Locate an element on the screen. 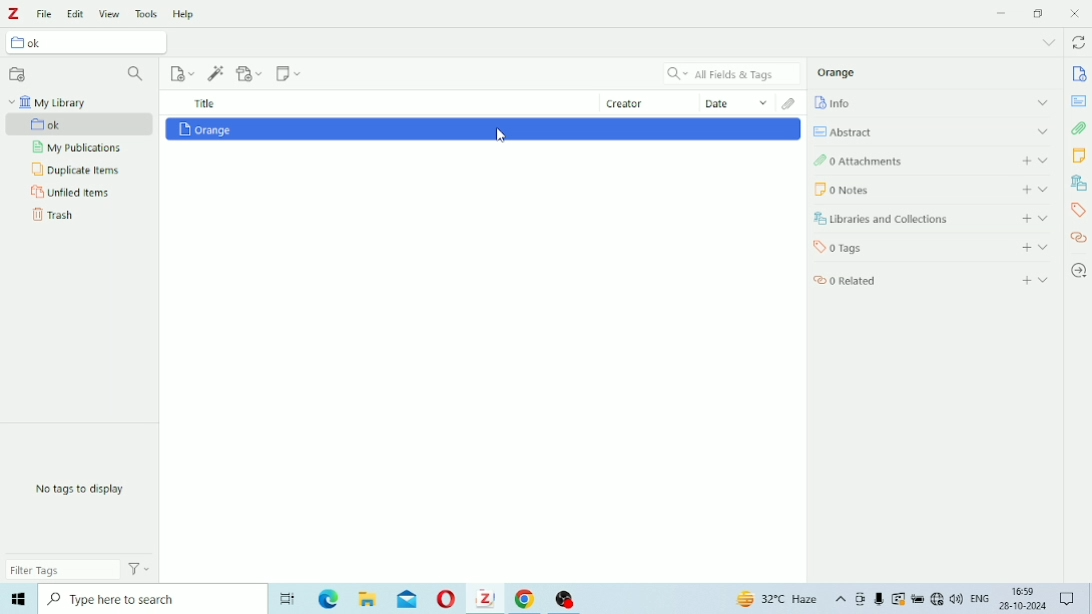 The height and width of the screenshot is (614, 1092). File Explorer is located at coordinates (369, 599).